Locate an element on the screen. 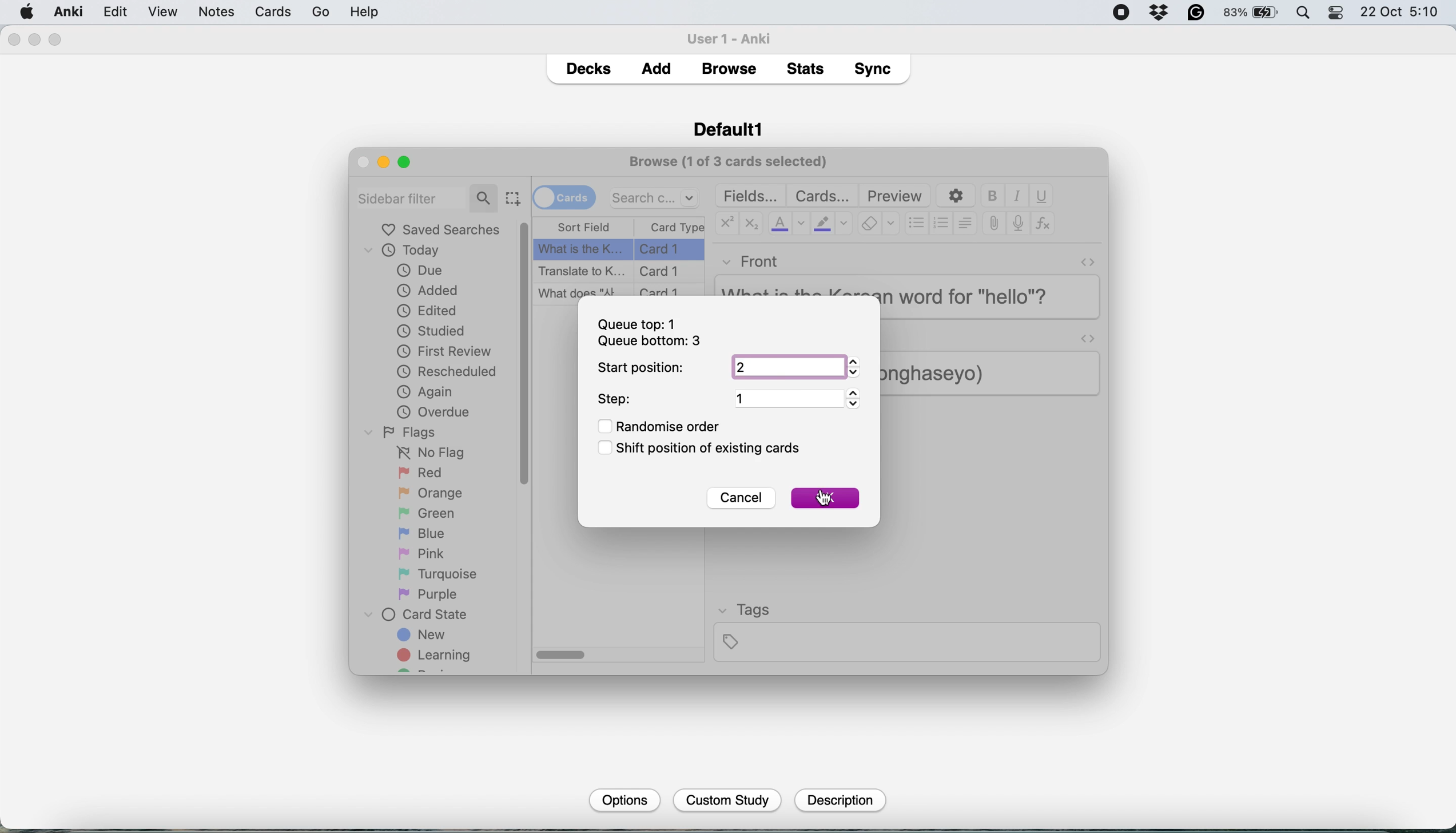  sync is located at coordinates (876, 71).